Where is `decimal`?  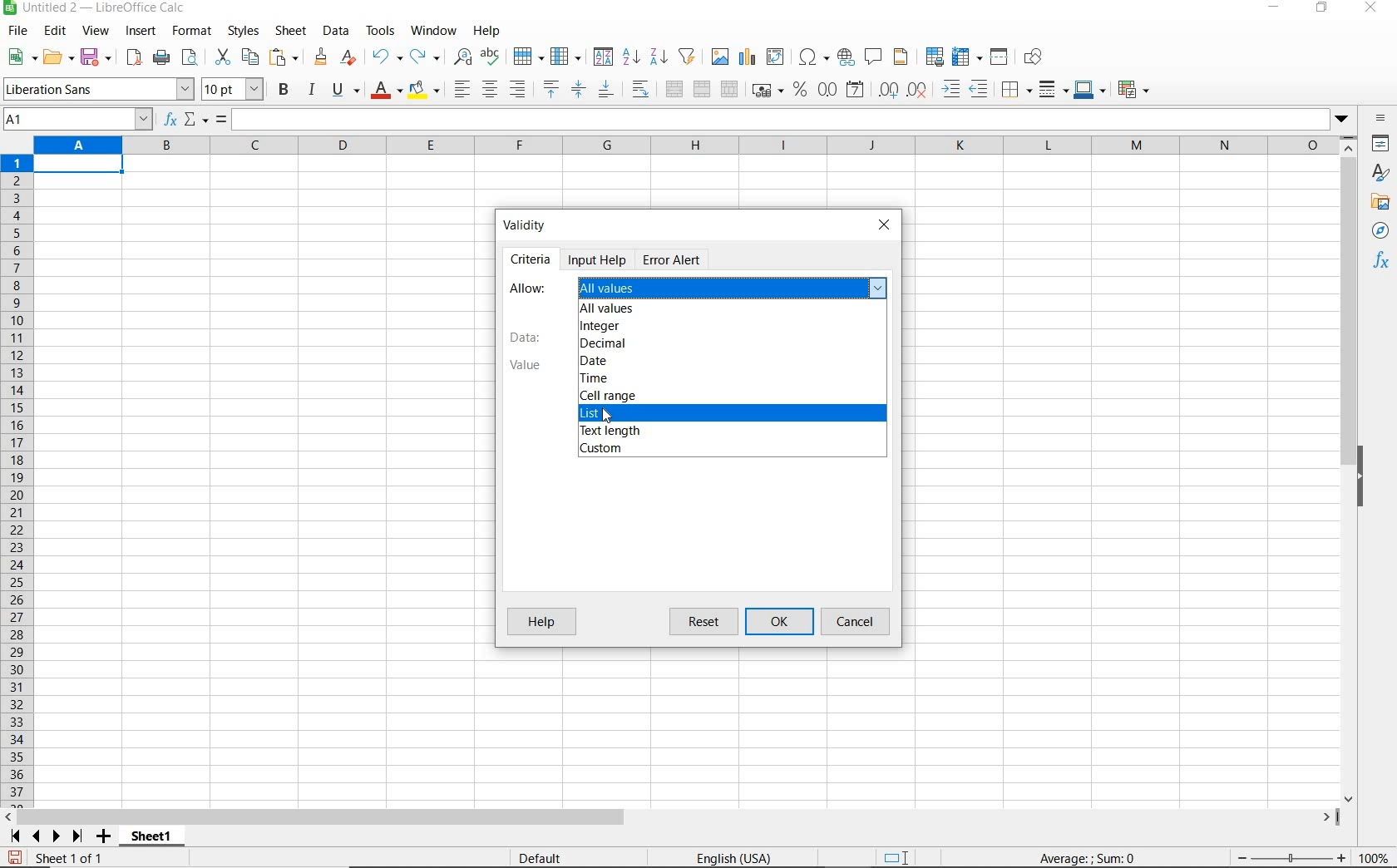
decimal is located at coordinates (600, 345).